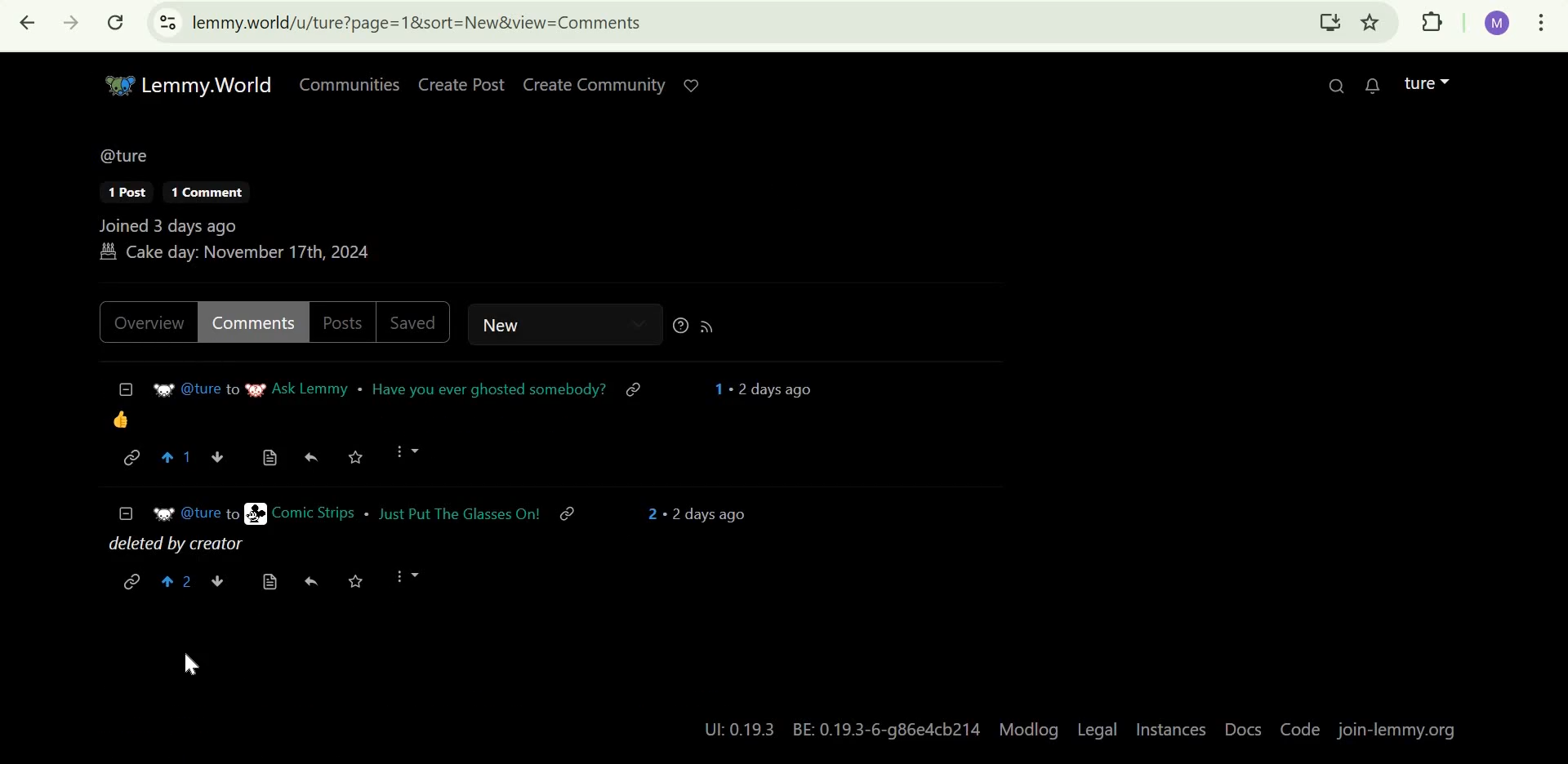 This screenshot has width=1568, height=764. What do you see at coordinates (237, 254) in the screenshot?
I see `cake day: November 17th, 2024` at bounding box center [237, 254].